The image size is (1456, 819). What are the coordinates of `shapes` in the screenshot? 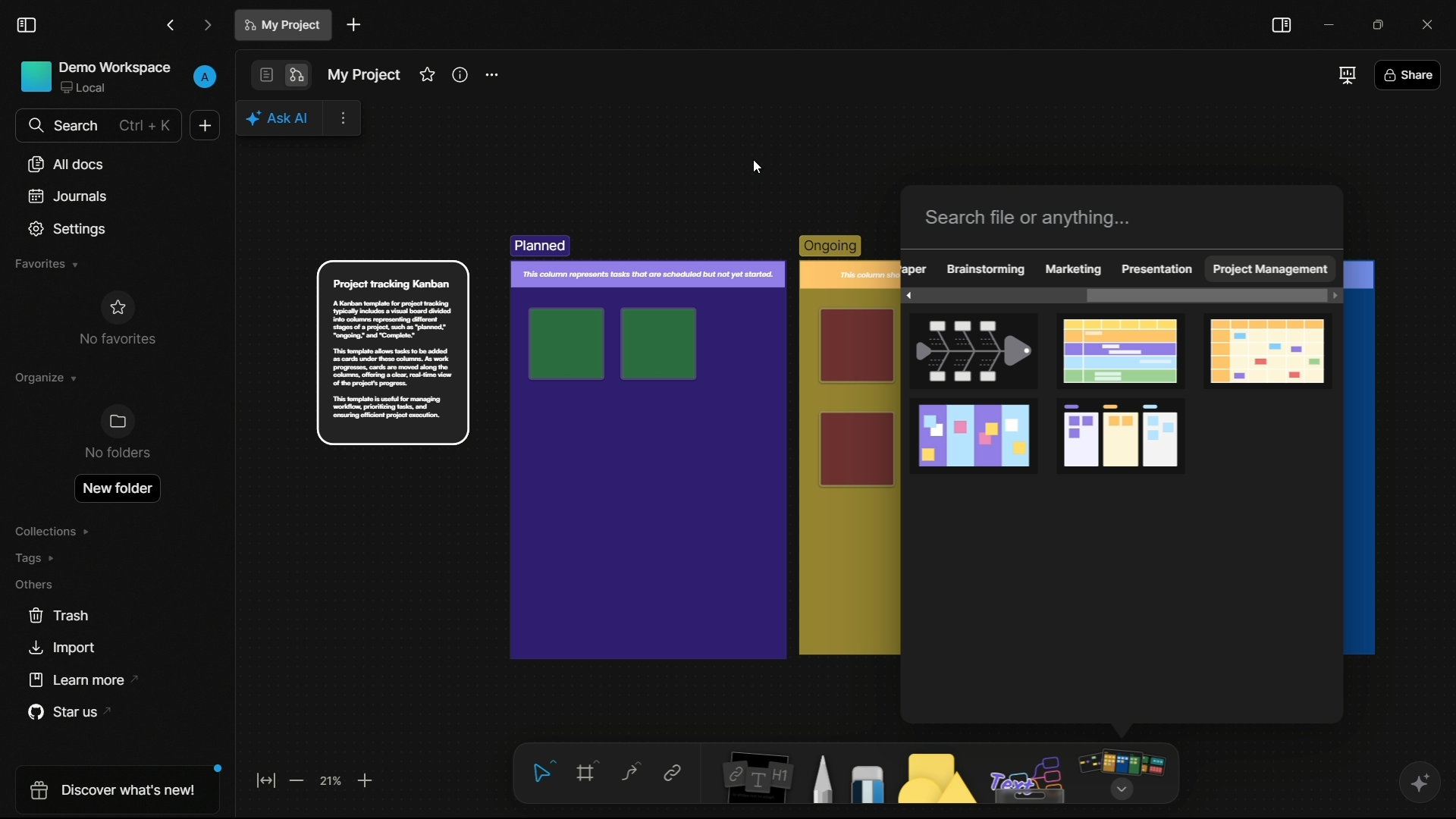 It's located at (934, 777).